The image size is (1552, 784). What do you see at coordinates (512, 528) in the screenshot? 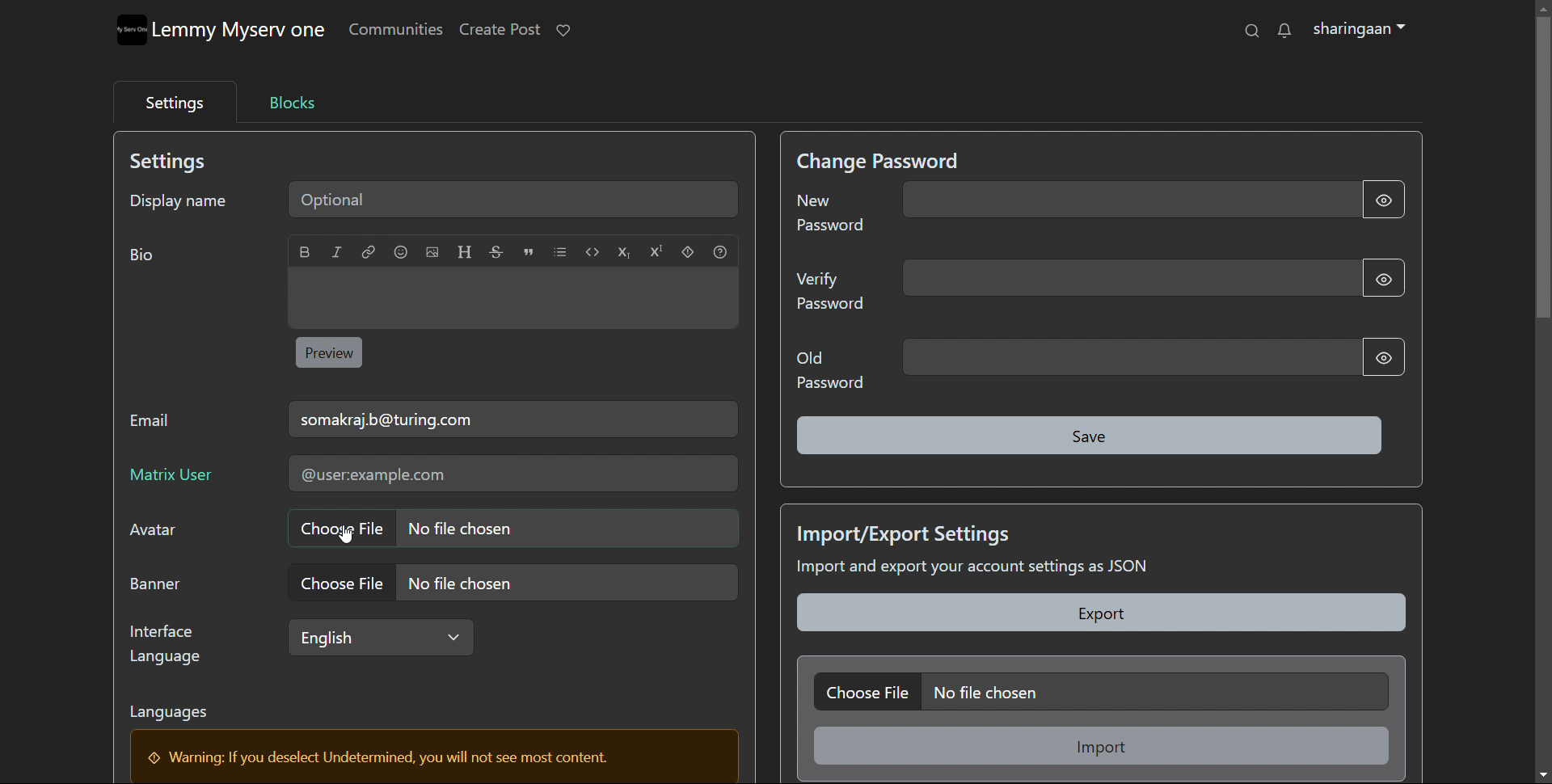
I see `choose file for avatar` at bounding box center [512, 528].